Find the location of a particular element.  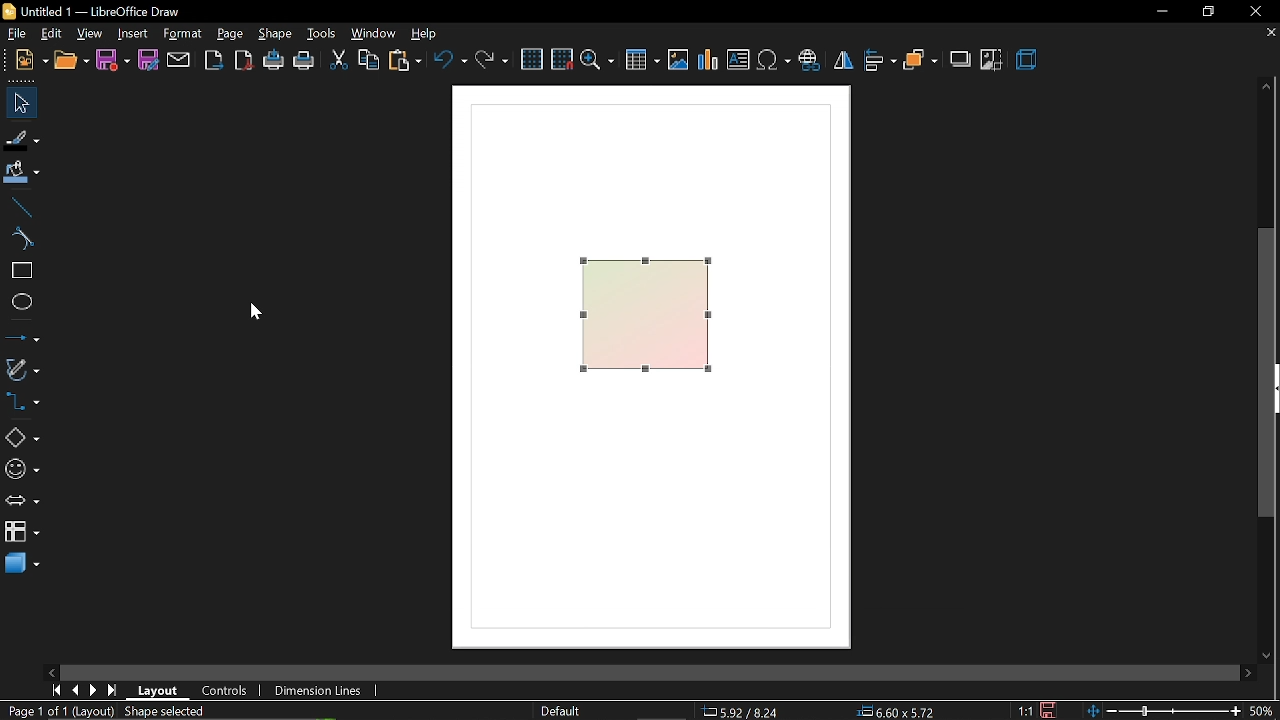

go to first page is located at coordinates (56, 690).